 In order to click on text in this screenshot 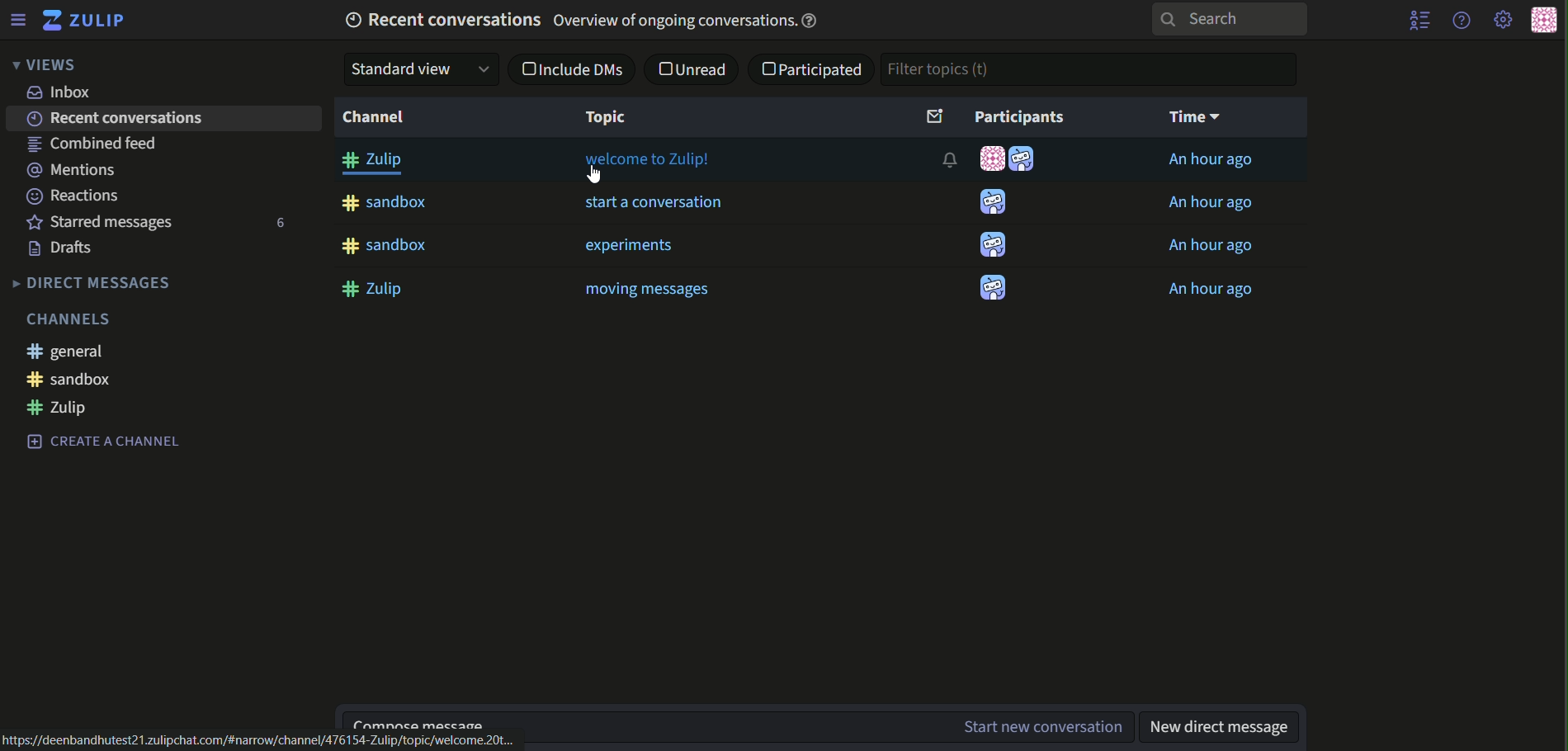, I will do `click(655, 204)`.